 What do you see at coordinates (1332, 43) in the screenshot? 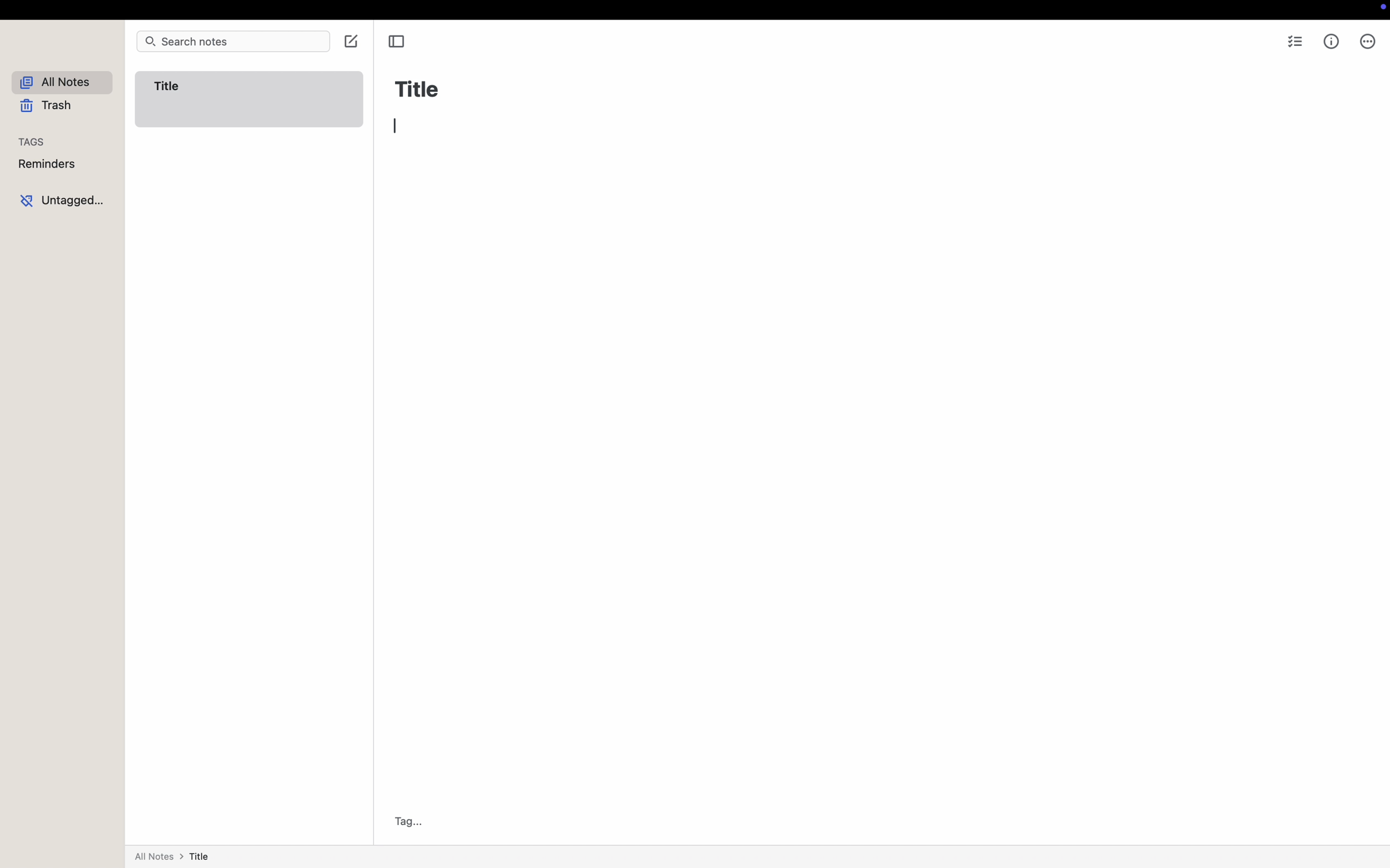
I see `metrics` at bounding box center [1332, 43].